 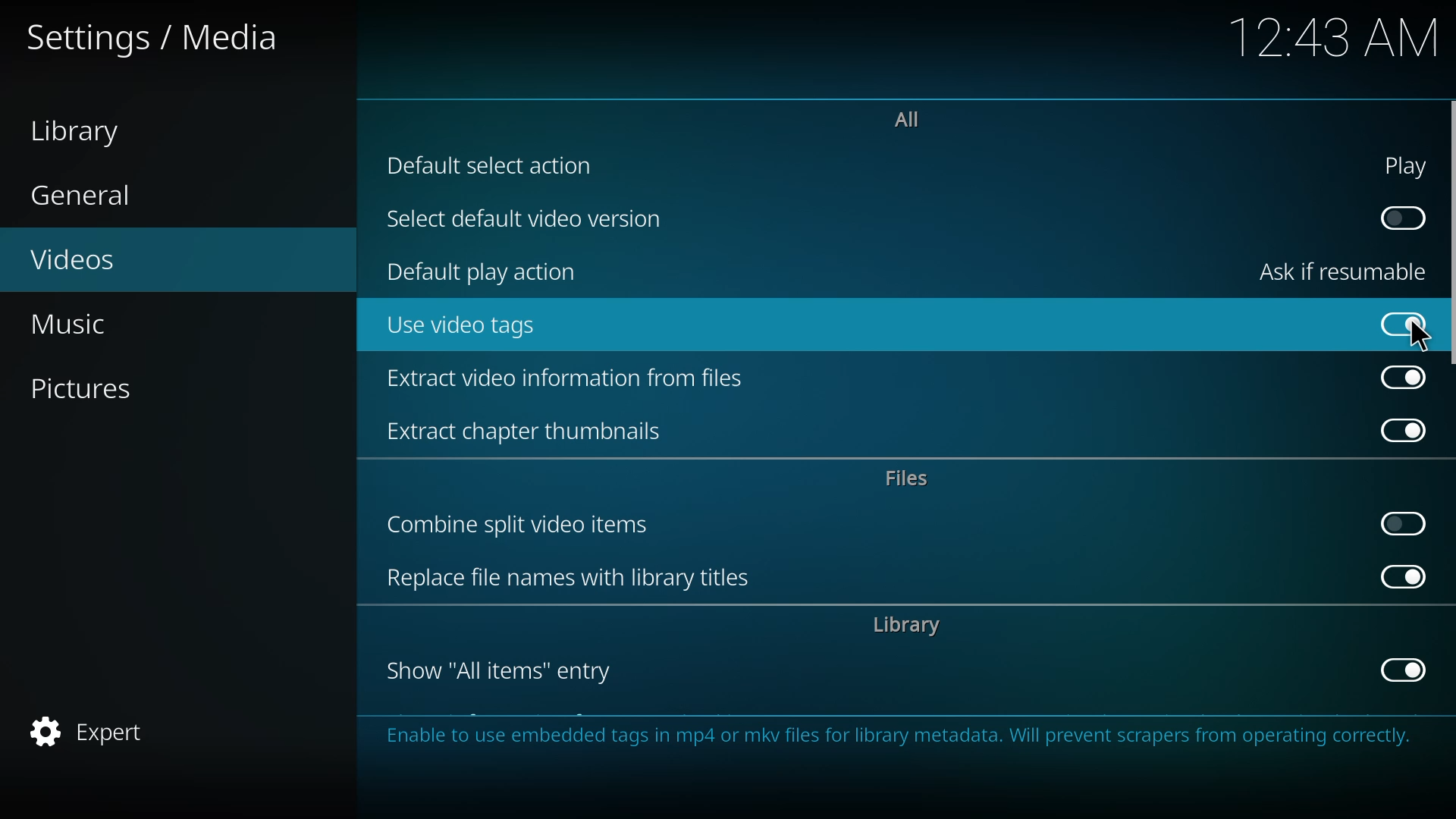 I want to click on extract video info from files, so click(x=570, y=382).